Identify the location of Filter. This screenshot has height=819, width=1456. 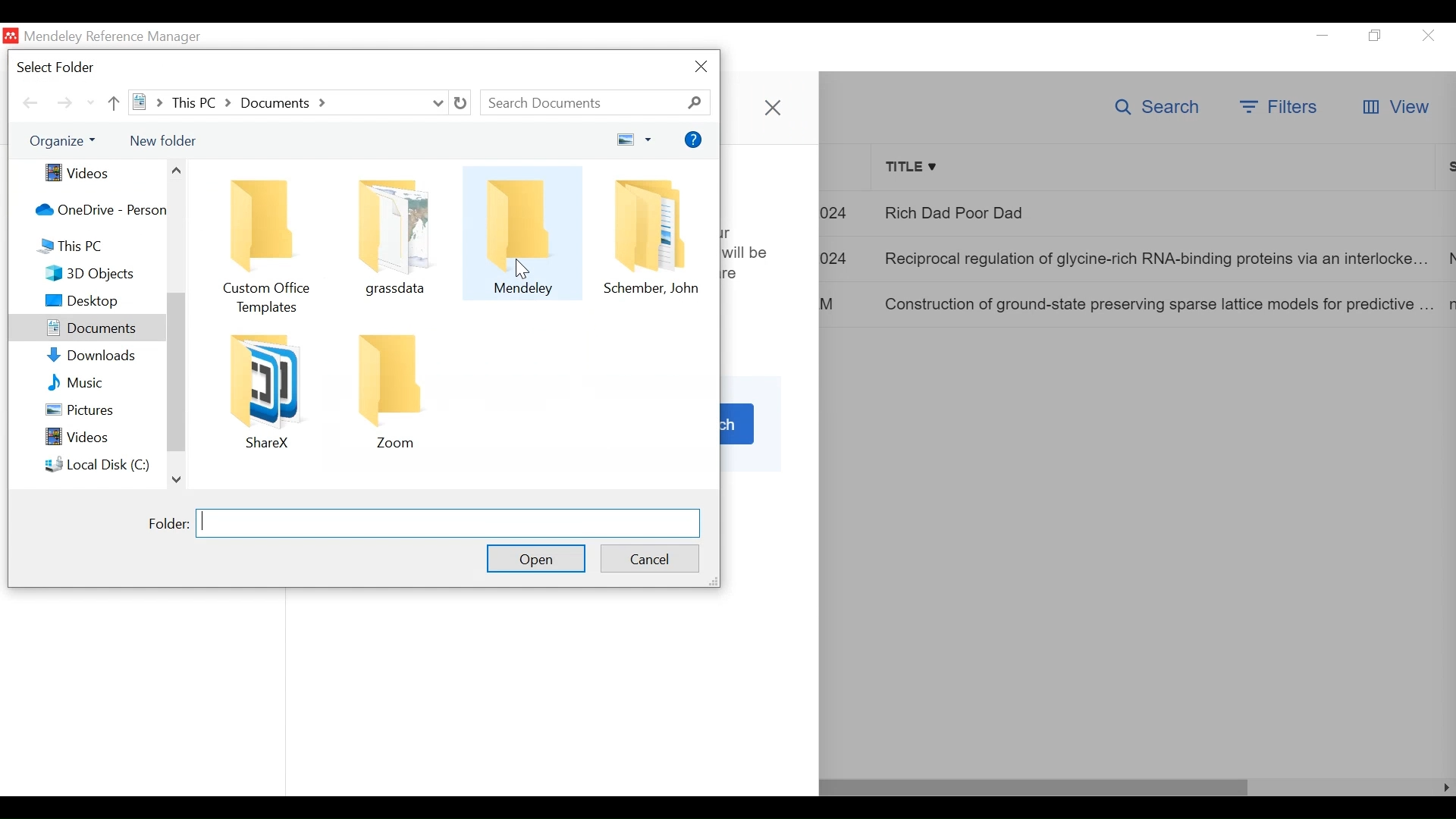
(1278, 105).